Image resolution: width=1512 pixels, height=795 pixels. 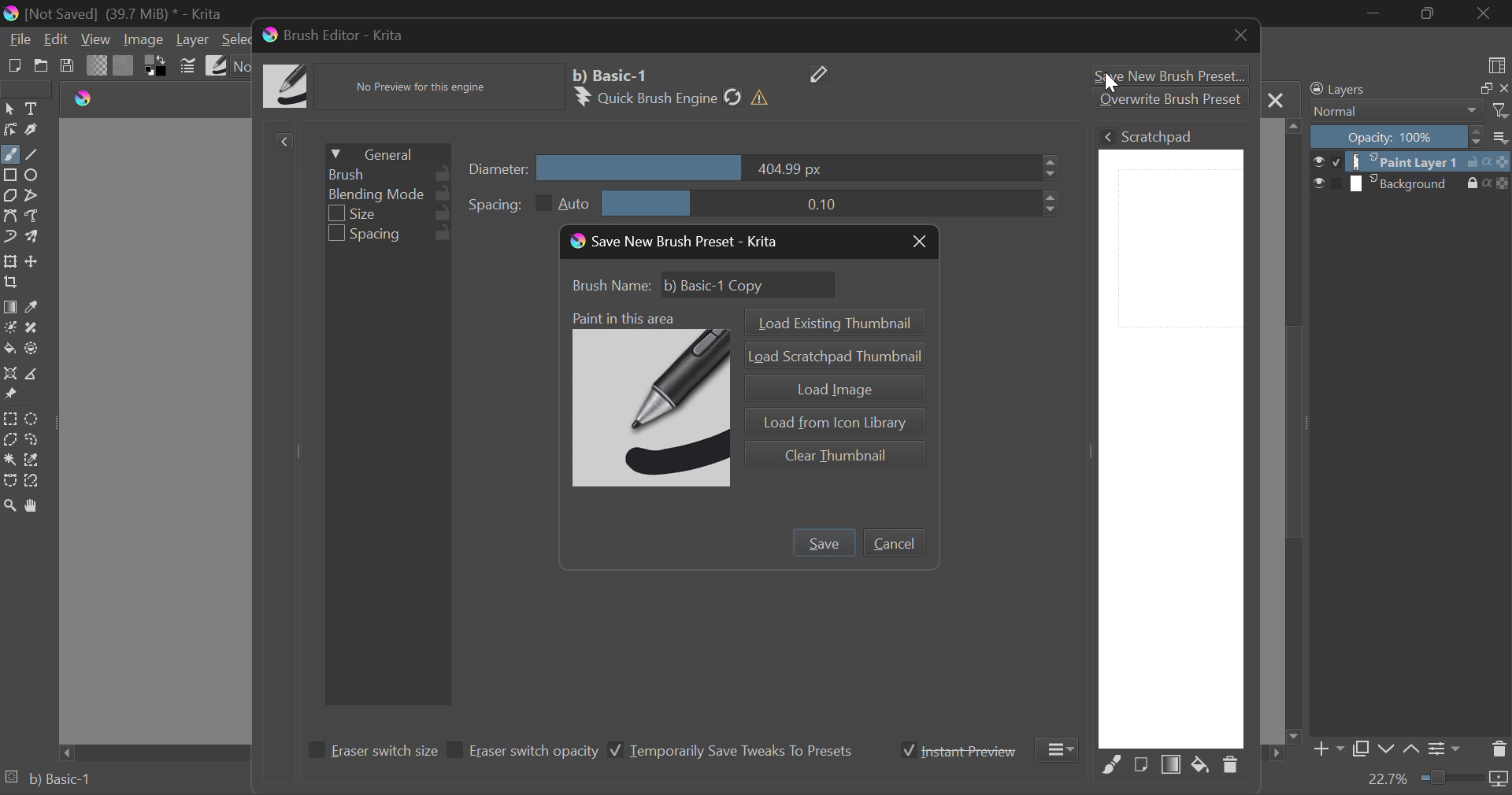 What do you see at coordinates (11, 176) in the screenshot?
I see `Rectangle` at bounding box center [11, 176].